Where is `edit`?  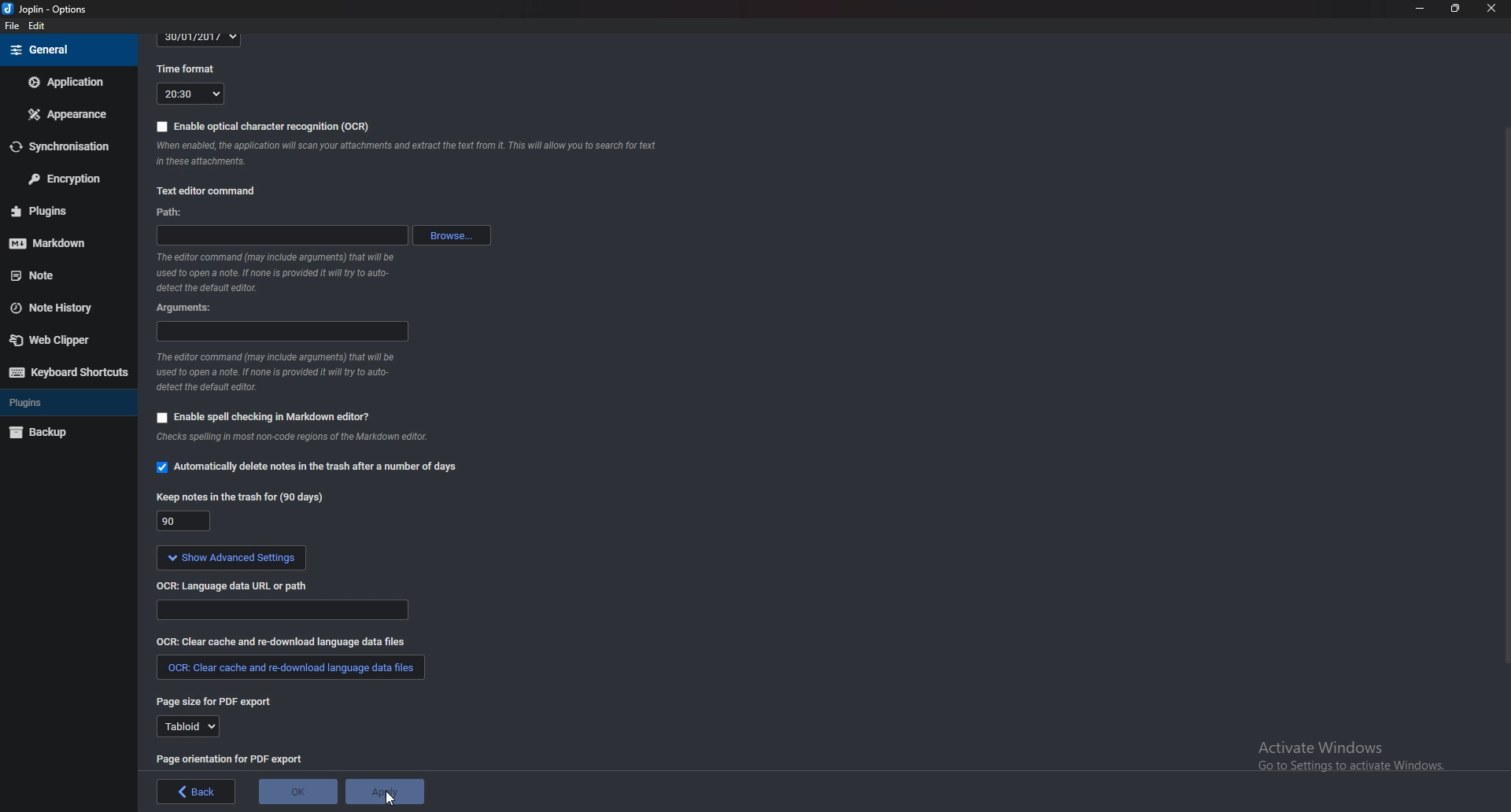
edit is located at coordinates (37, 27).